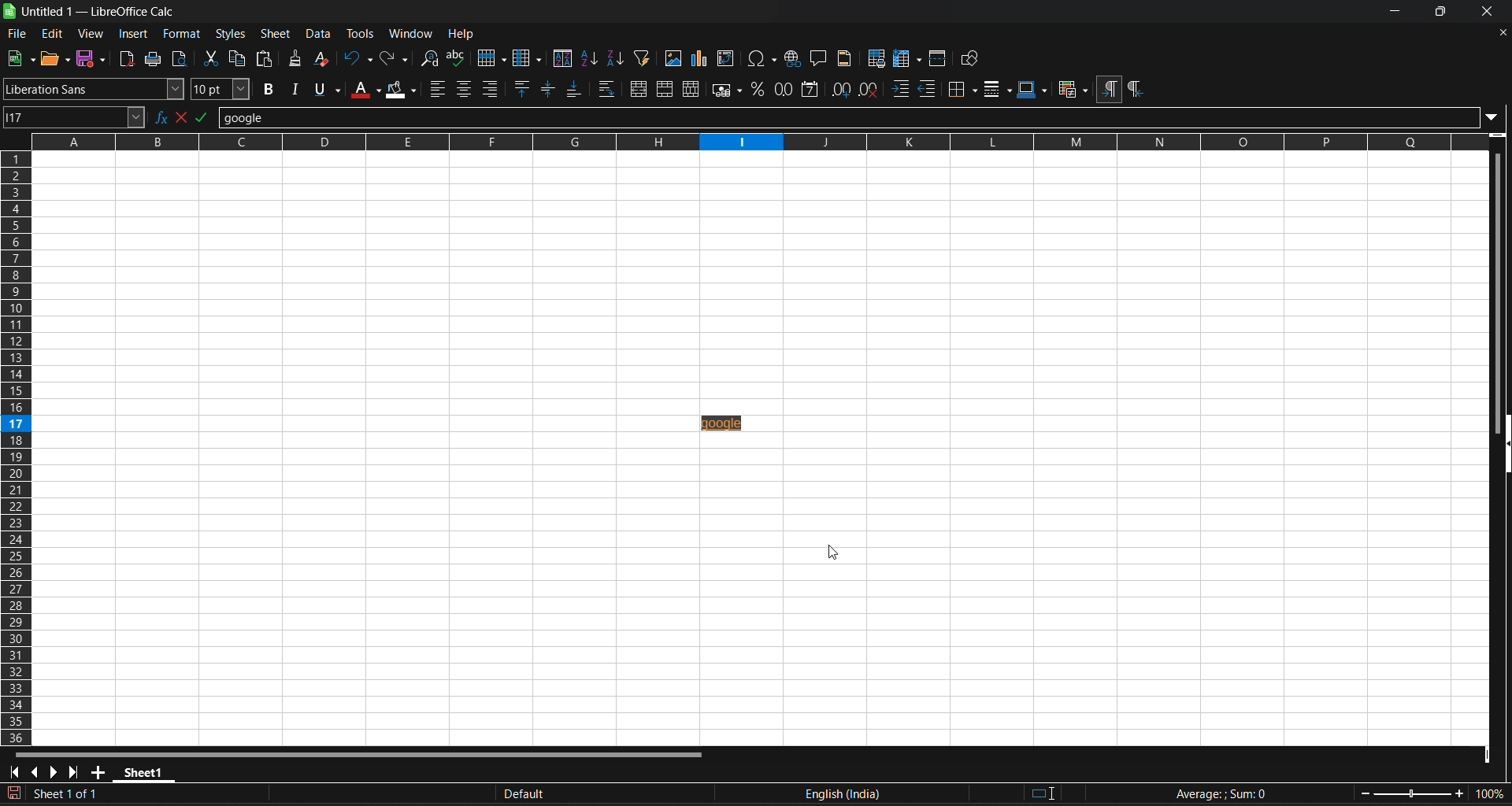  What do you see at coordinates (491, 56) in the screenshot?
I see `row` at bounding box center [491, 56].